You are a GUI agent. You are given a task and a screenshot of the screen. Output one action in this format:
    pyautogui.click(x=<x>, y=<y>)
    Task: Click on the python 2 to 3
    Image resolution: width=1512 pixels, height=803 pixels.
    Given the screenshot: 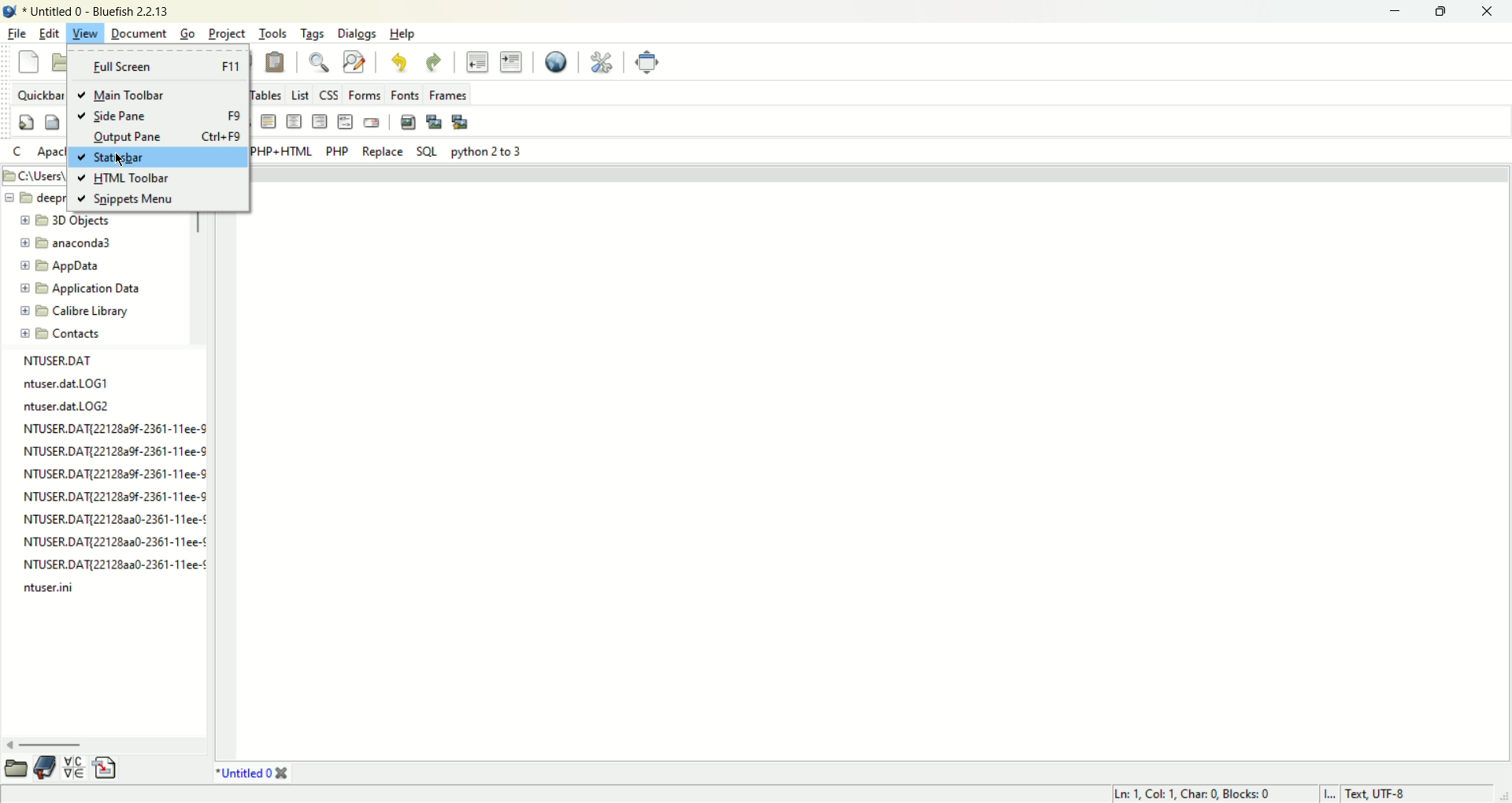 What is the action you would take?
    pyautogui.click(x=489, y=152)
    